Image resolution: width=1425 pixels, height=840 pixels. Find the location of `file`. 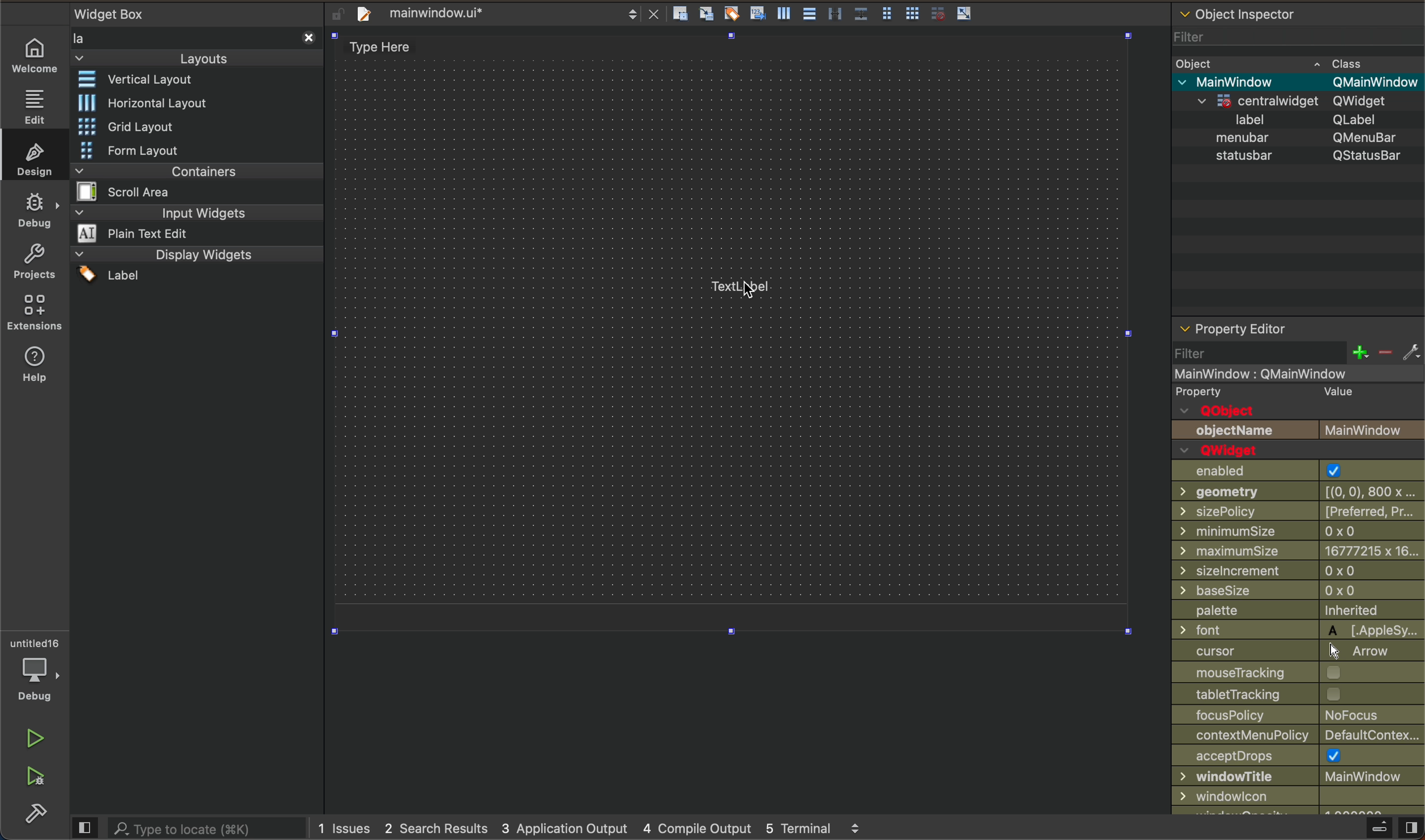

file is located at coordinates (504, 12).